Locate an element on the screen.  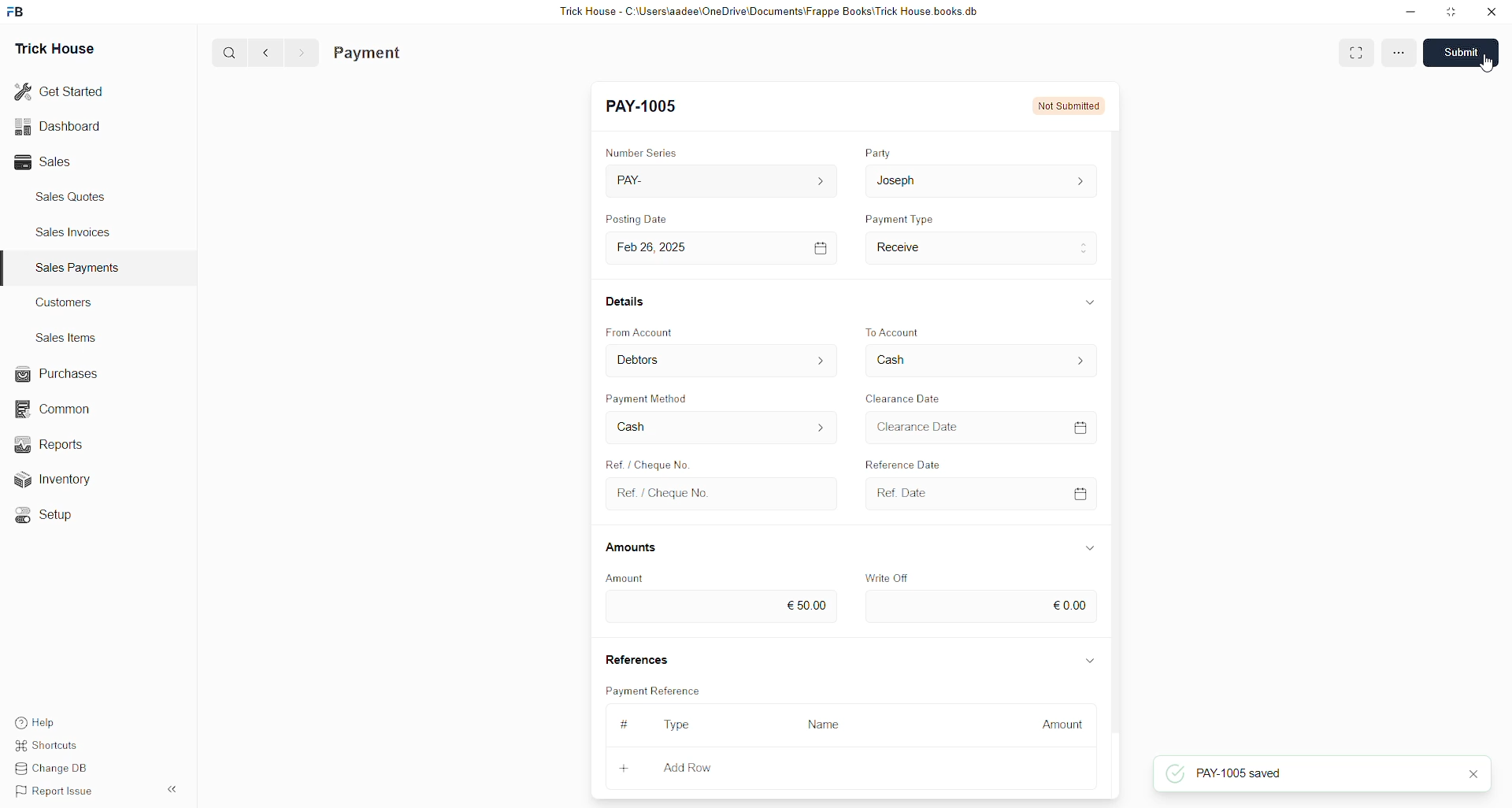
Cash is located at coordinates (722, 428).